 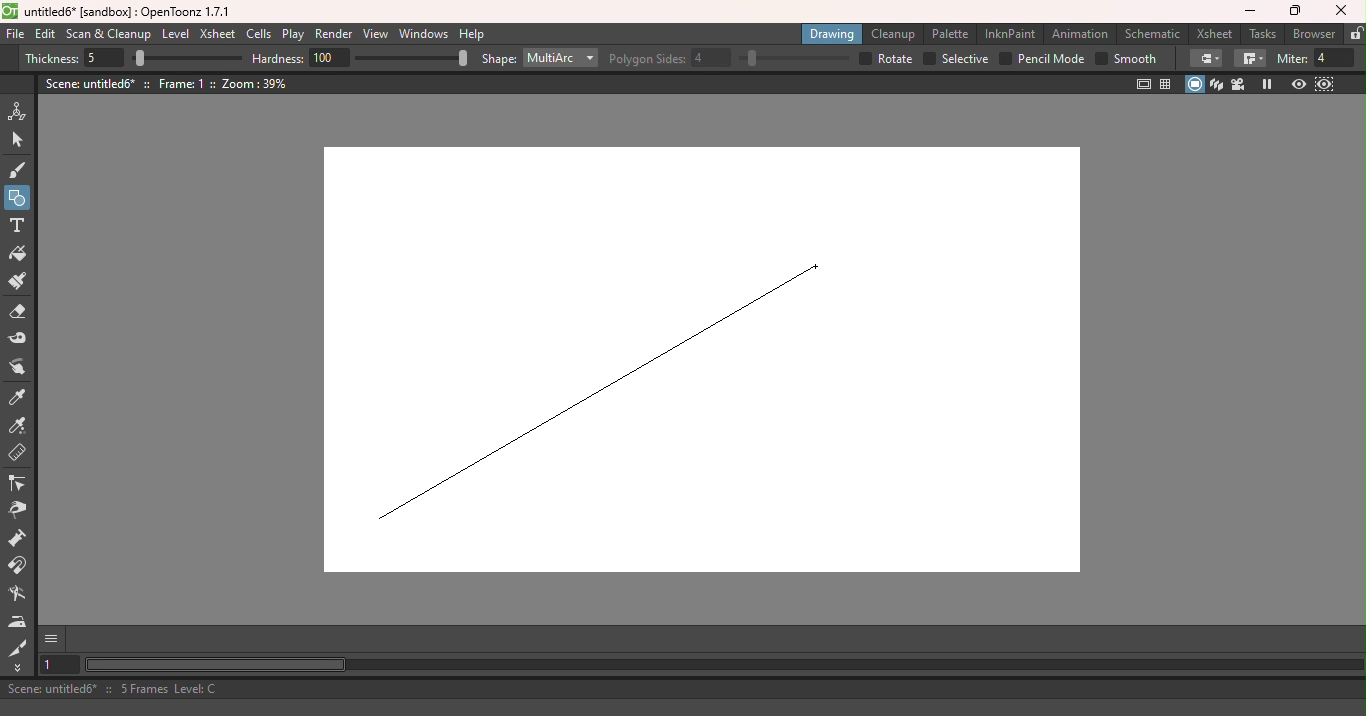 What do you see at coordinates (561, 59) in the screenshot?
I see `Multiarc` at bounding box center [561, 59].